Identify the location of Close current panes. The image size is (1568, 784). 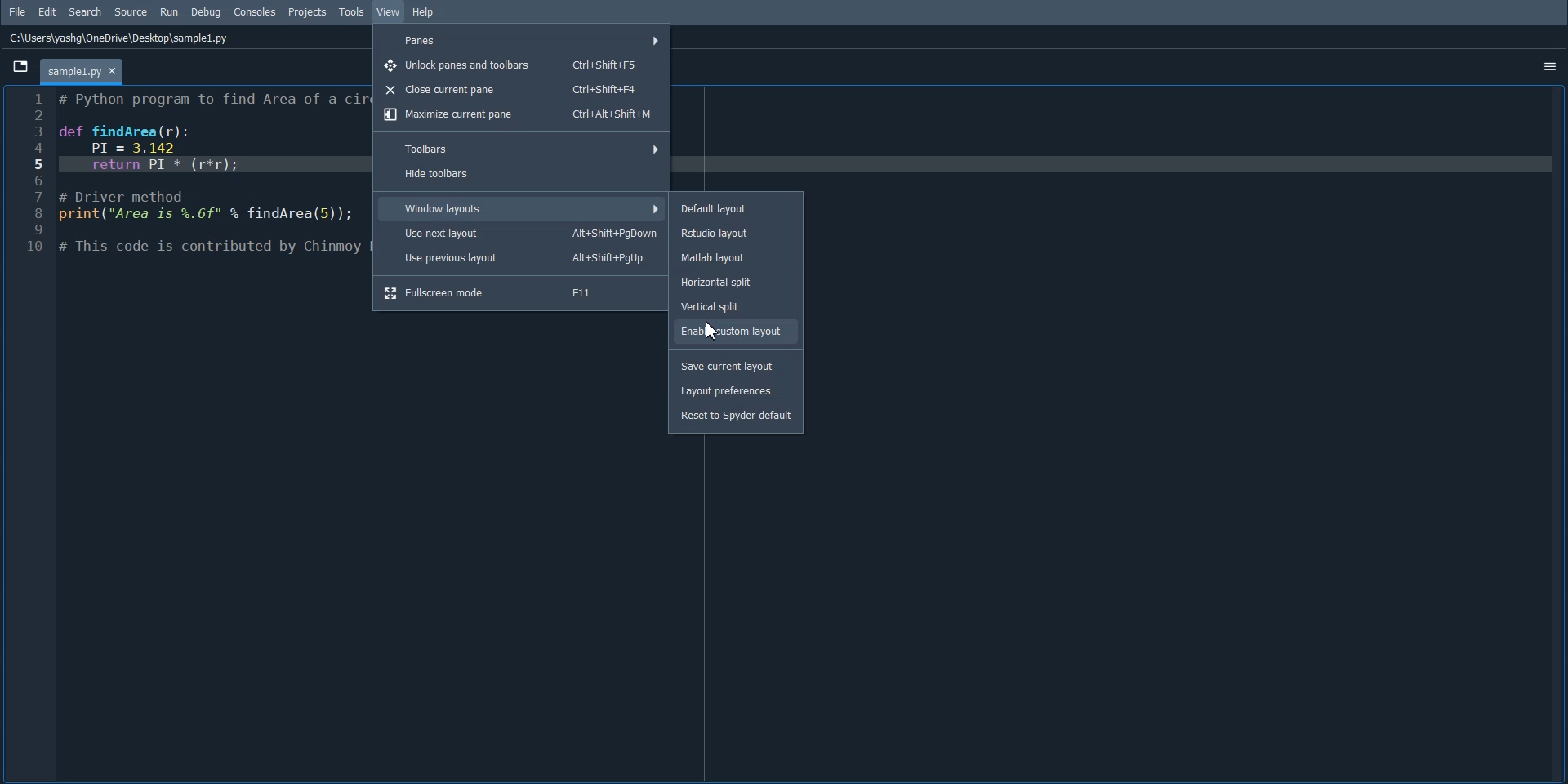
(519, 90).